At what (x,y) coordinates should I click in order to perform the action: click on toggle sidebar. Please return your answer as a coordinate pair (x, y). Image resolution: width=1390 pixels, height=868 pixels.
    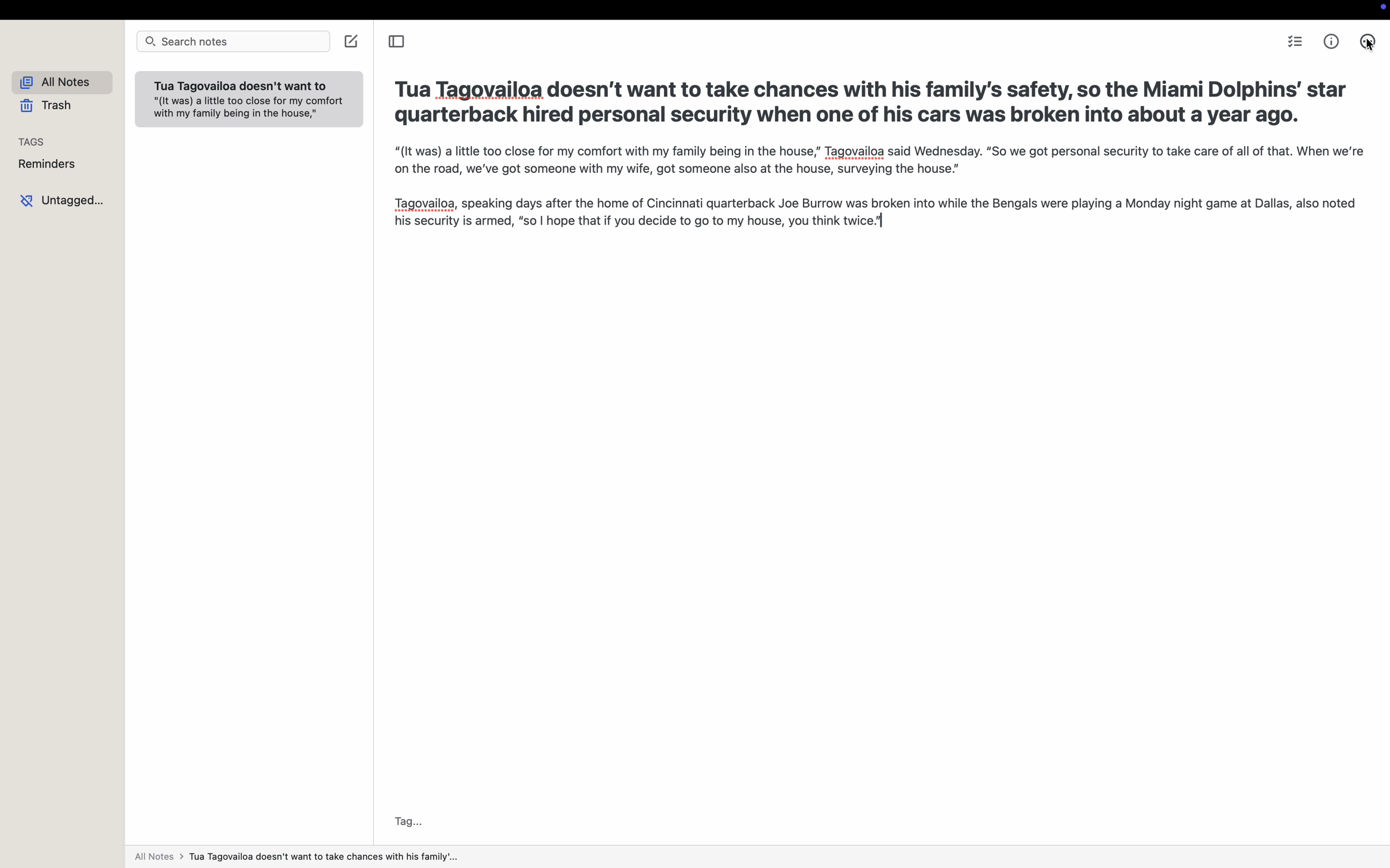
    Looking at the image, I should click on (398, 41).